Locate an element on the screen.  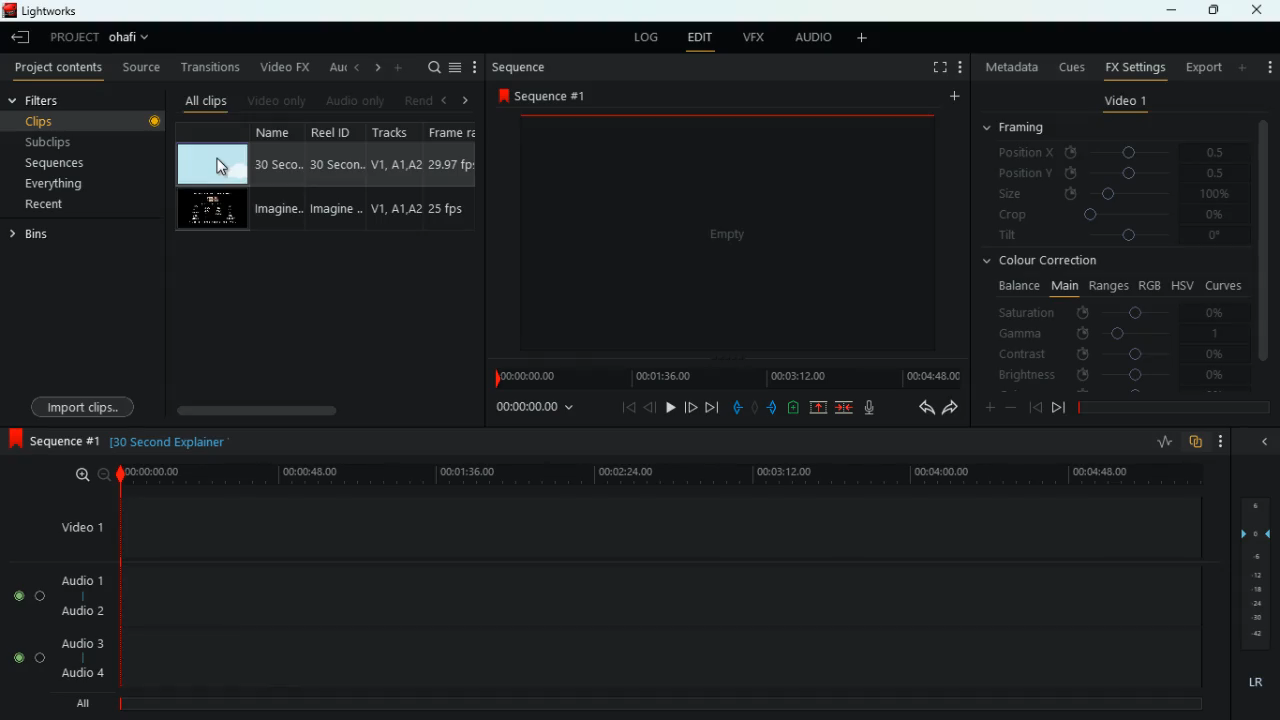
video fx is located at coordinates (286, 68).